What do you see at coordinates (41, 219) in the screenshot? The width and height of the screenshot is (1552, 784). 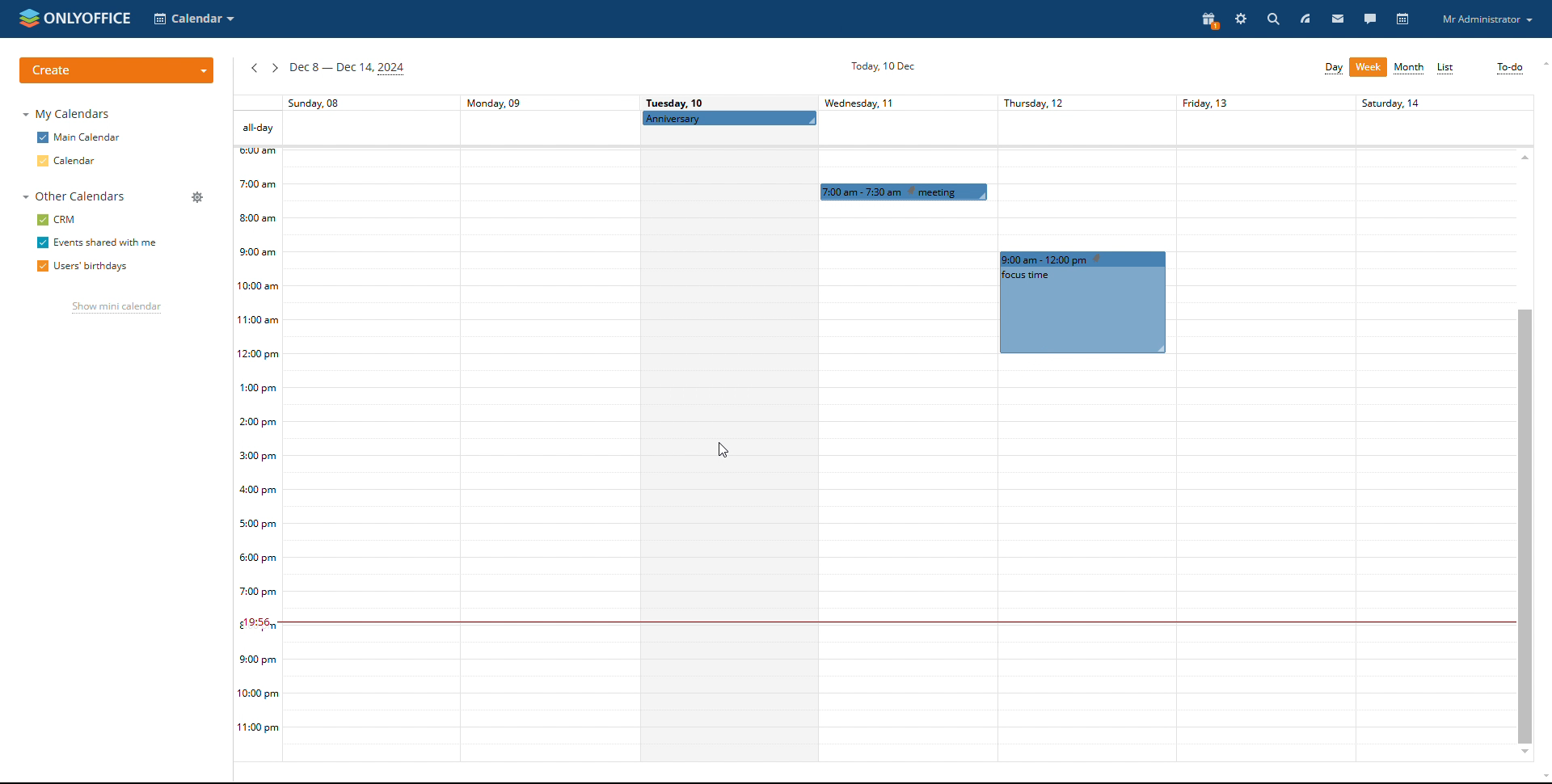 I see `checkbox` at bounding box center [41, 219].